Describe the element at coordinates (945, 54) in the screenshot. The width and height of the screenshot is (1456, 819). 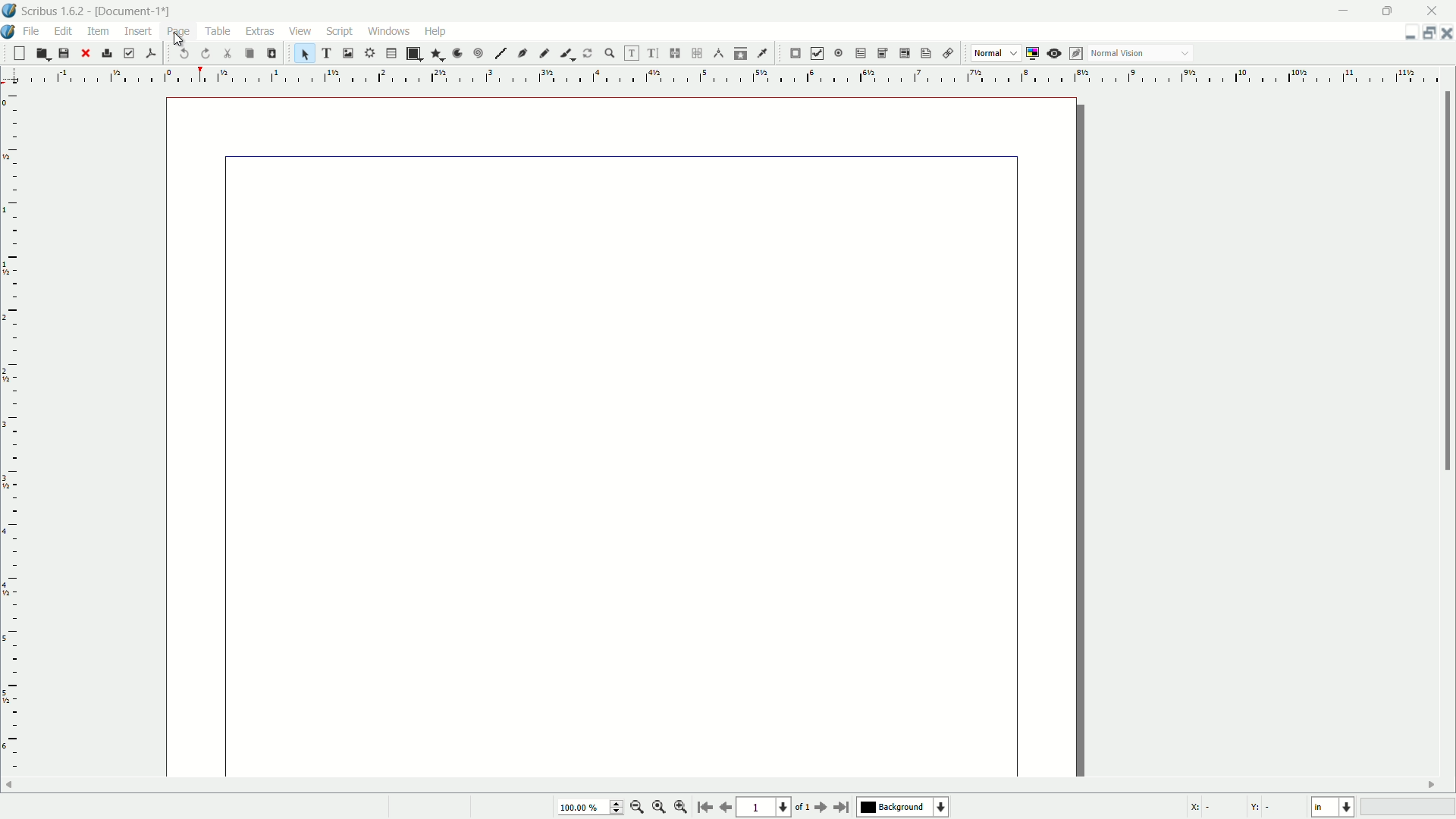
I see `link annotation` at that location.